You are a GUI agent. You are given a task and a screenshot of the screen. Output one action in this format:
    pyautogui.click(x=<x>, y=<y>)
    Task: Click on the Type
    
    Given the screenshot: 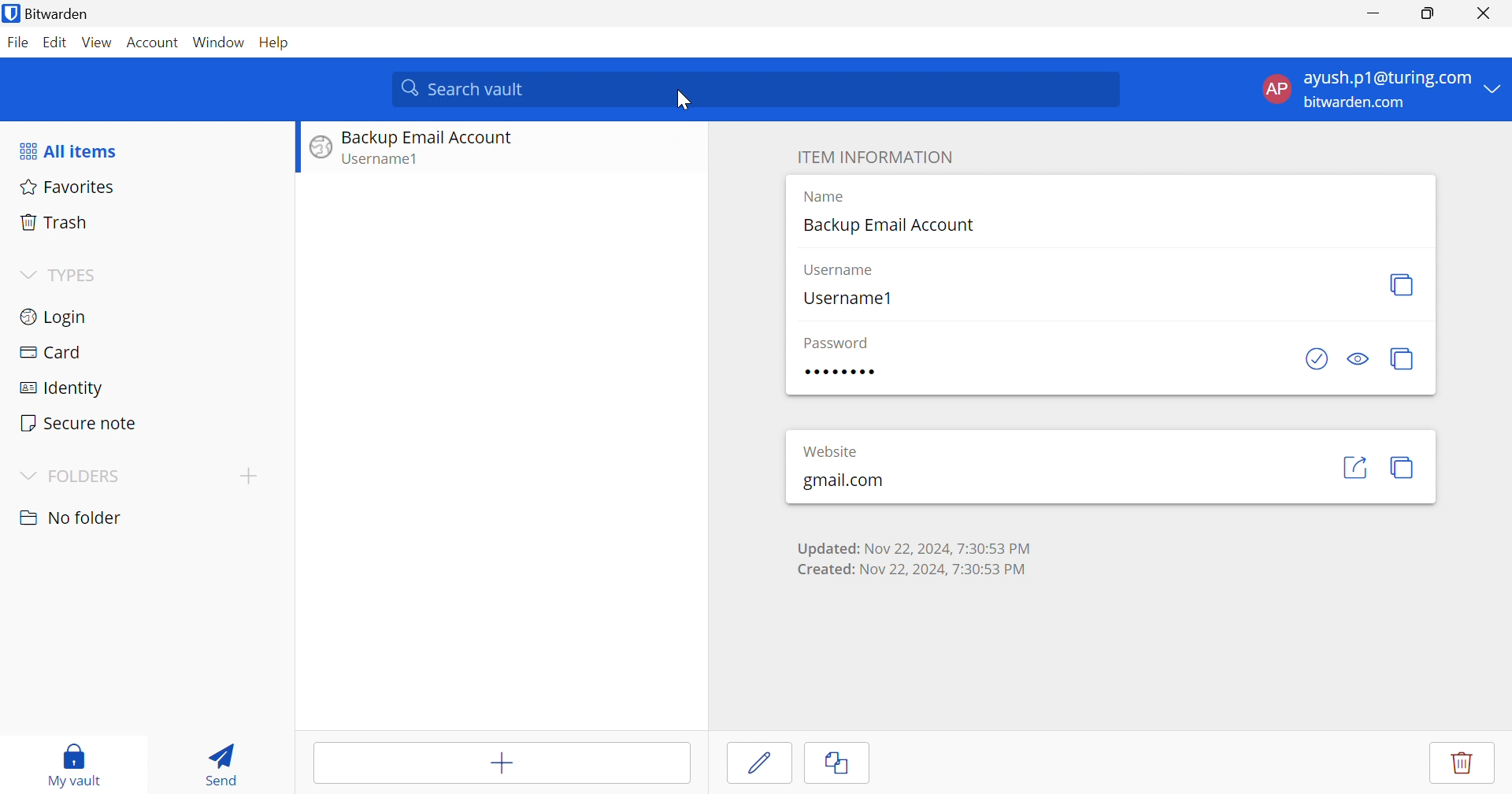 What is the action you would take?
    pyautogui.click(x=816, y=198)
    